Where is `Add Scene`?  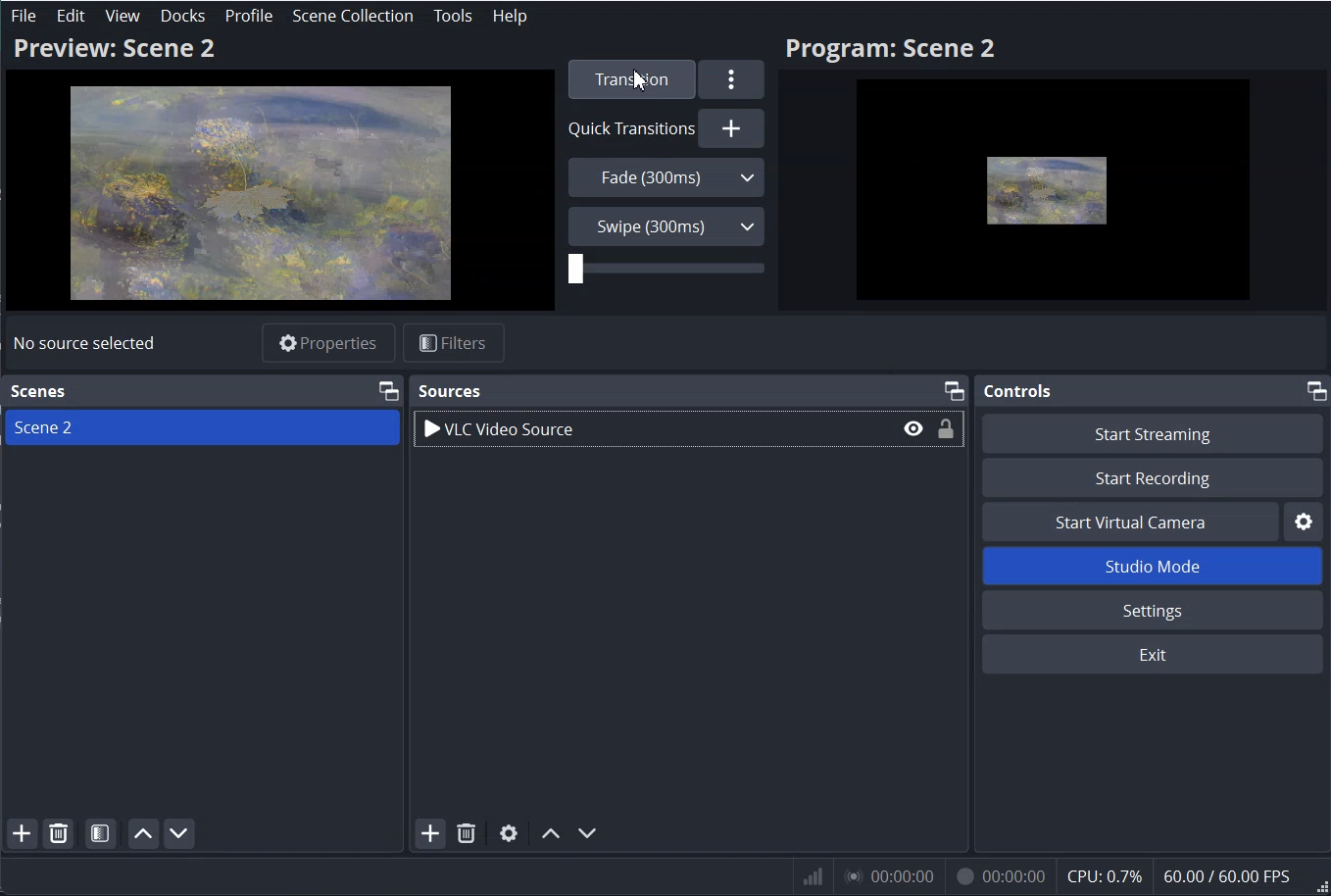
Add Scene is located at coordinates (22, 833).